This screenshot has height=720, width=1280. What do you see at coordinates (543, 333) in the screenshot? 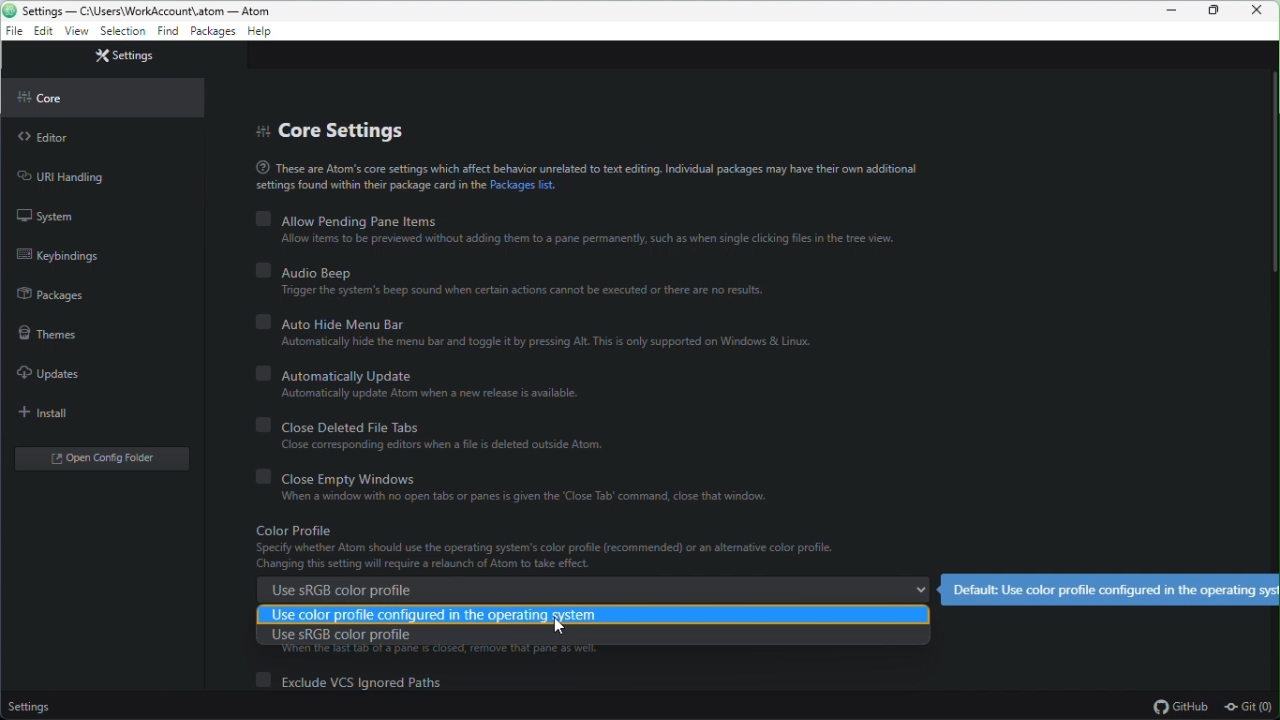
I see `Auto hide menu bar` at bounding box center [543, 333].